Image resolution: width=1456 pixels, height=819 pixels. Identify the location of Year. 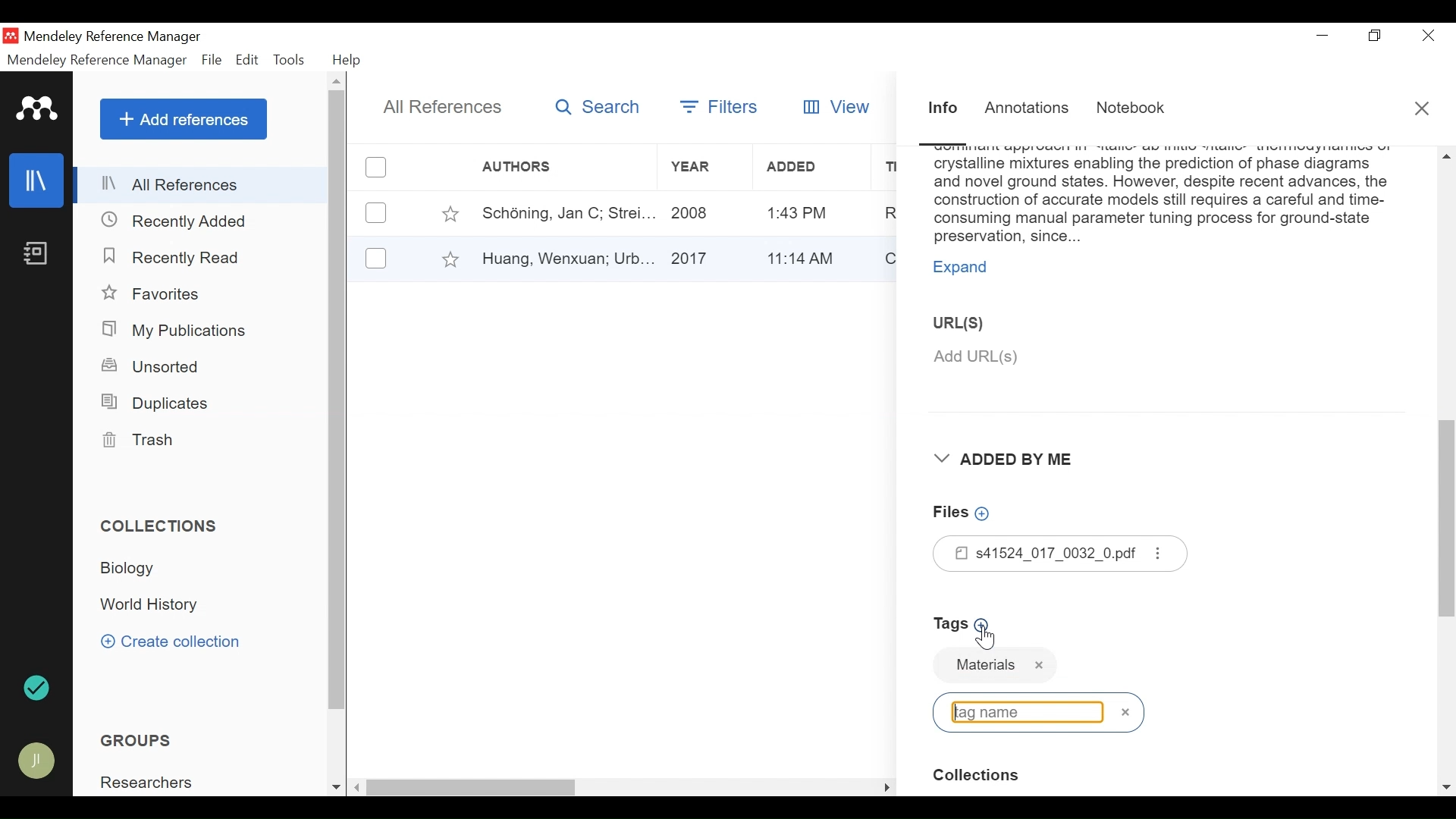
(700, 167).